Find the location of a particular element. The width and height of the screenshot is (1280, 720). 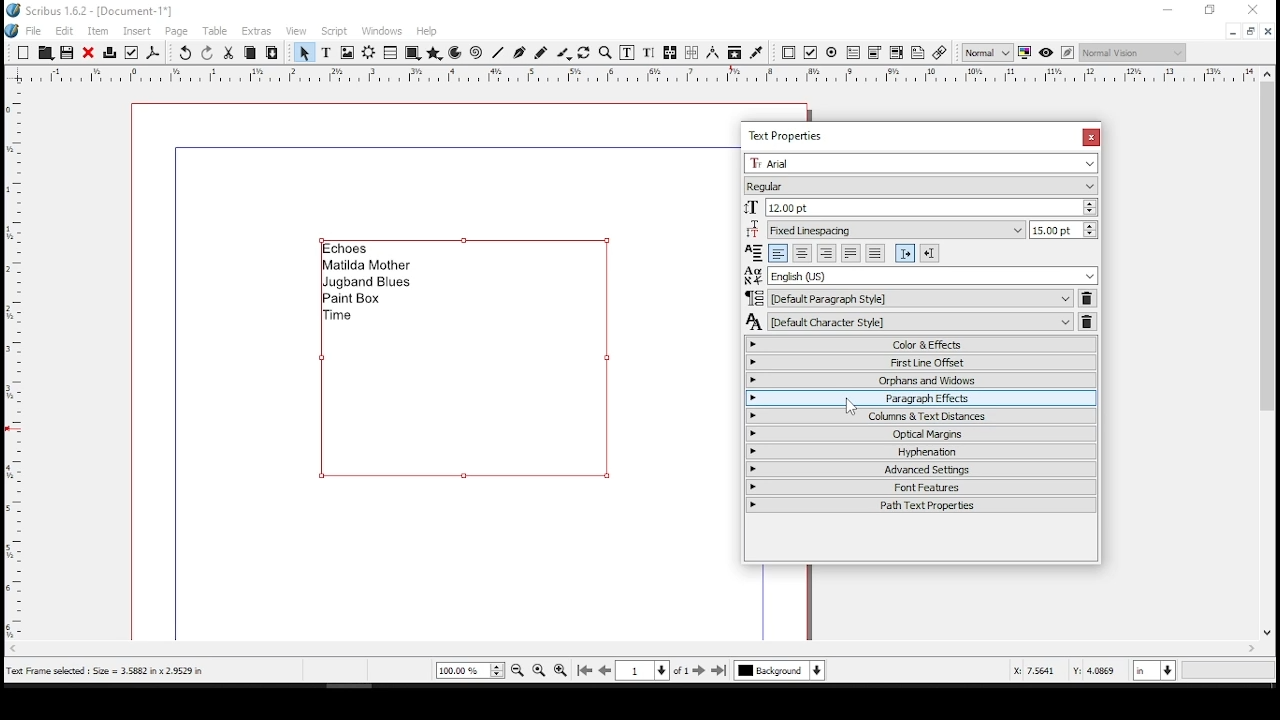

script is located at coordinates (333, 33).